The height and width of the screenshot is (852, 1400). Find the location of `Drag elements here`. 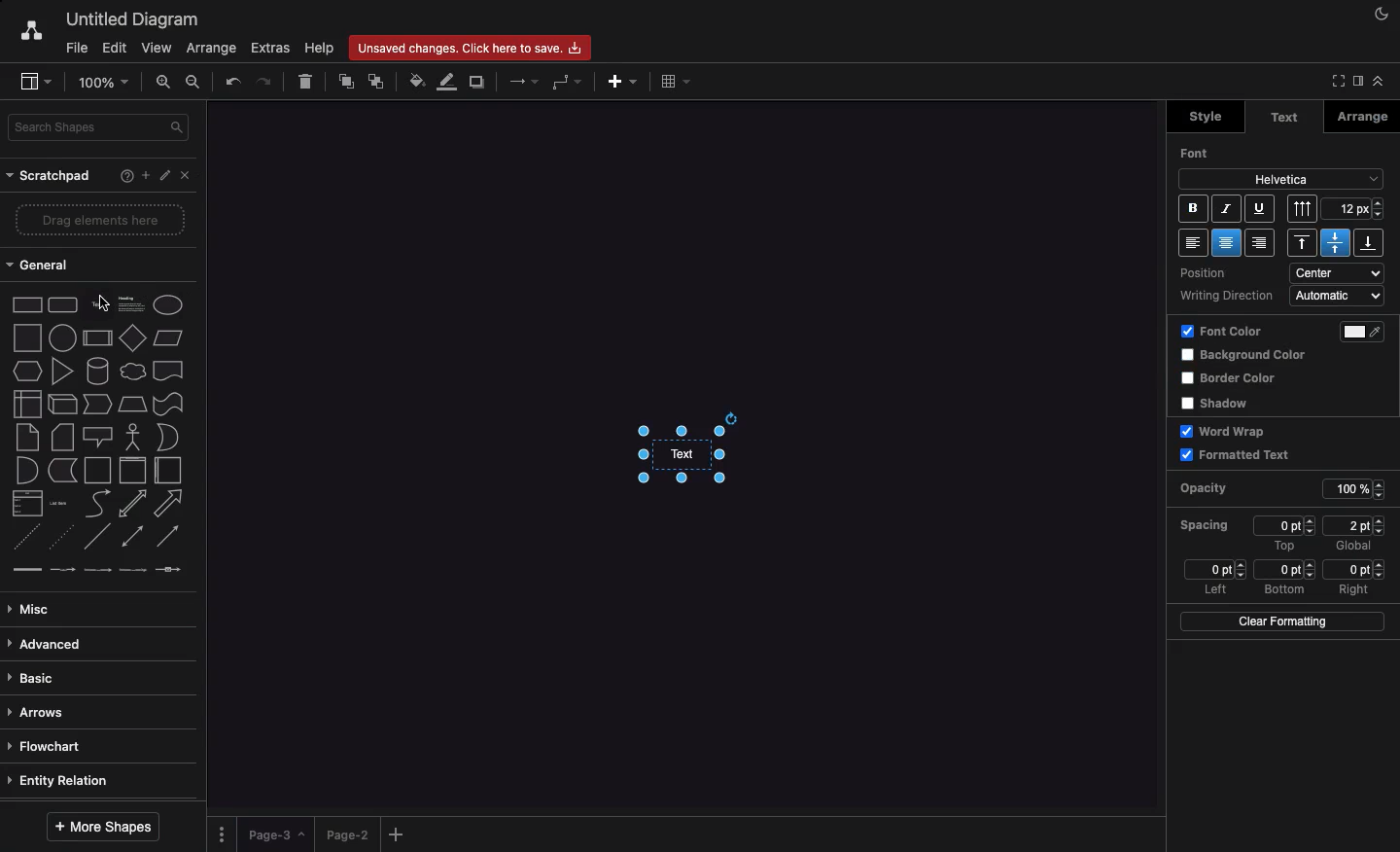

Drag elements here is located at coordinates (102, 219).